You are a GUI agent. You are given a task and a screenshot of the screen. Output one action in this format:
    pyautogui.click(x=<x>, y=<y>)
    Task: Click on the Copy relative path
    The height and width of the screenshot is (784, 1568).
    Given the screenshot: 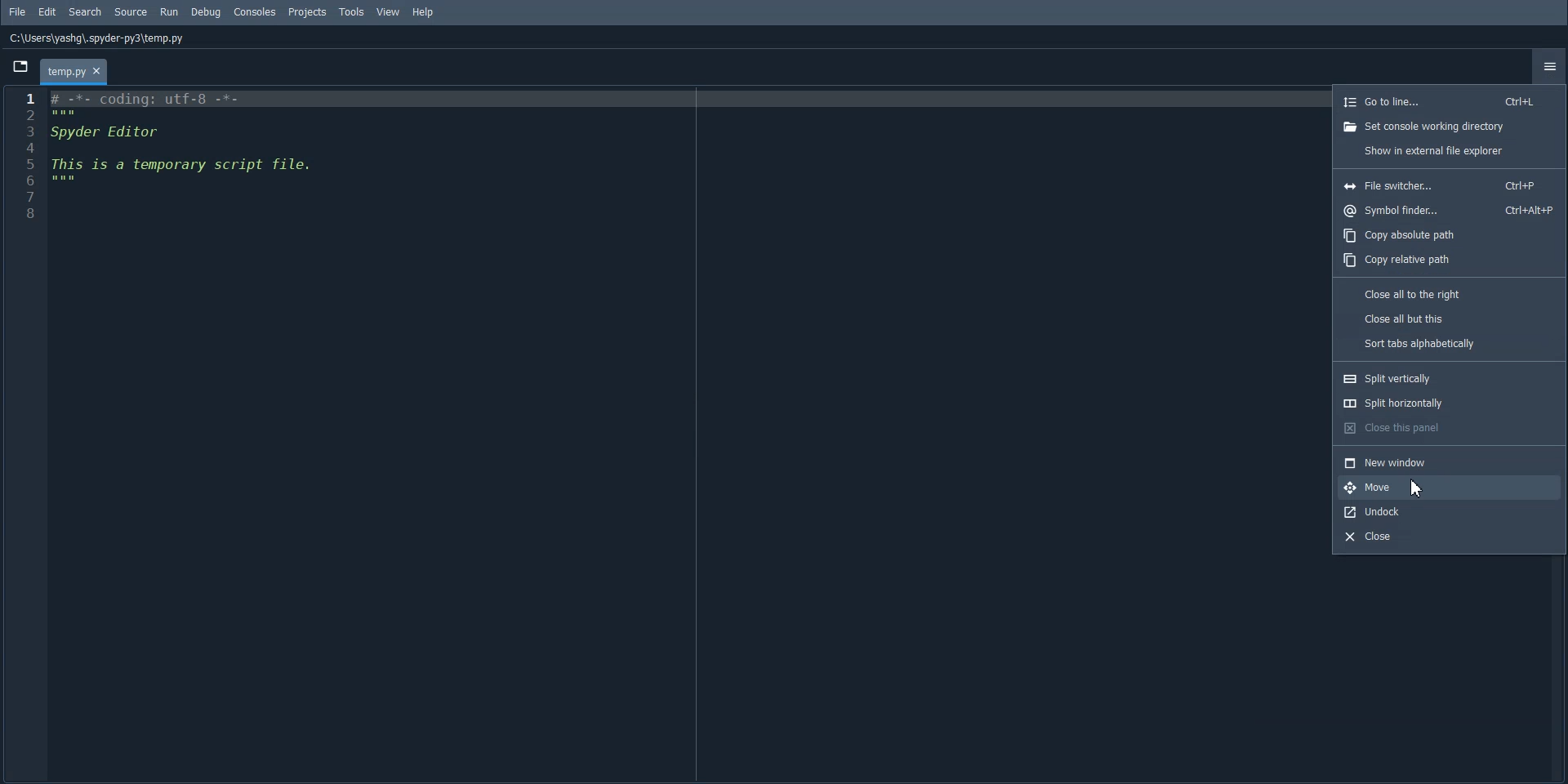 What is the action you would take?
    pyautogui.click(x=1450, y=261)
    